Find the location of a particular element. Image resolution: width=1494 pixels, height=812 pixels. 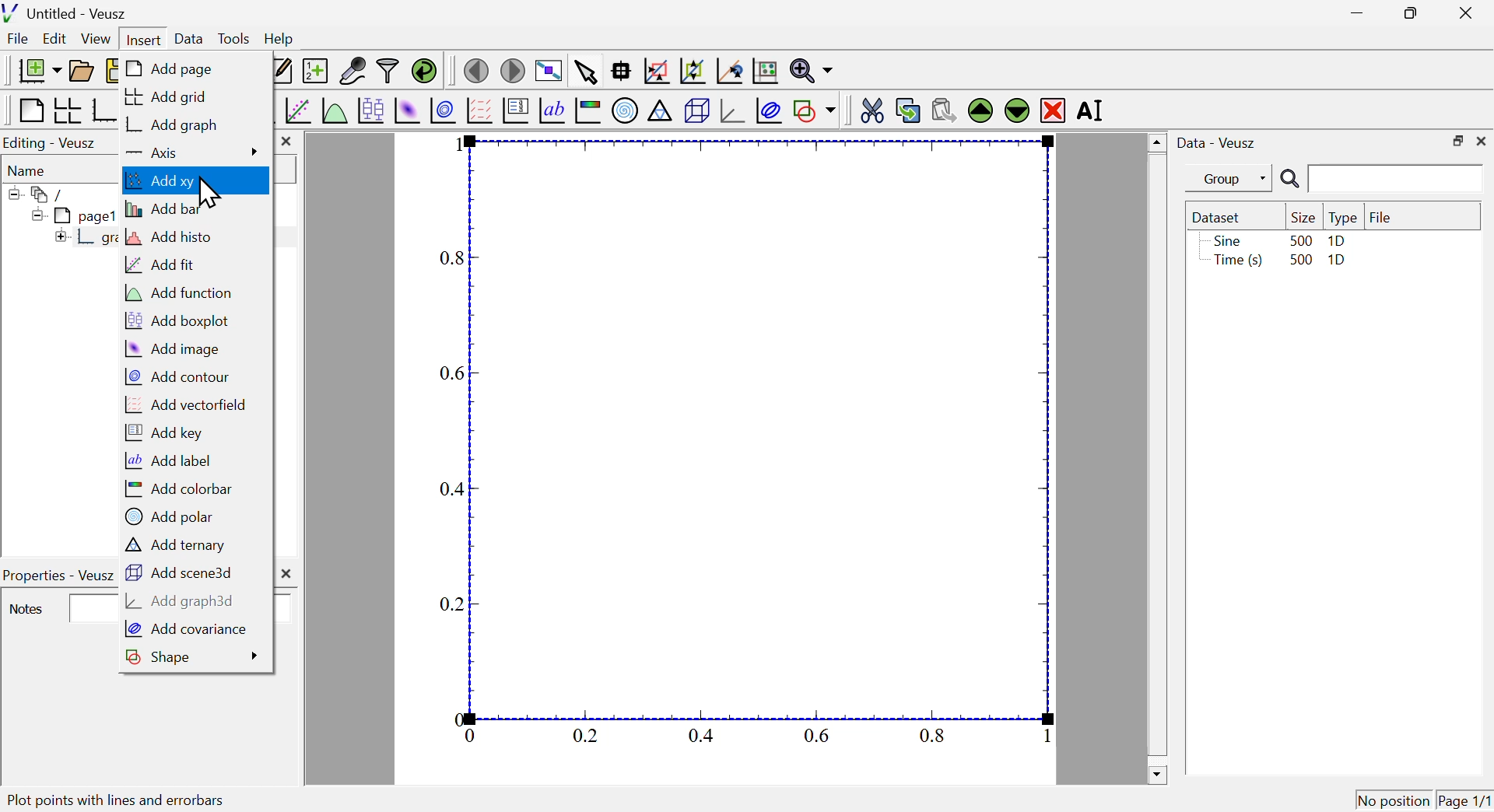

close is located at coordinates (287, 142).